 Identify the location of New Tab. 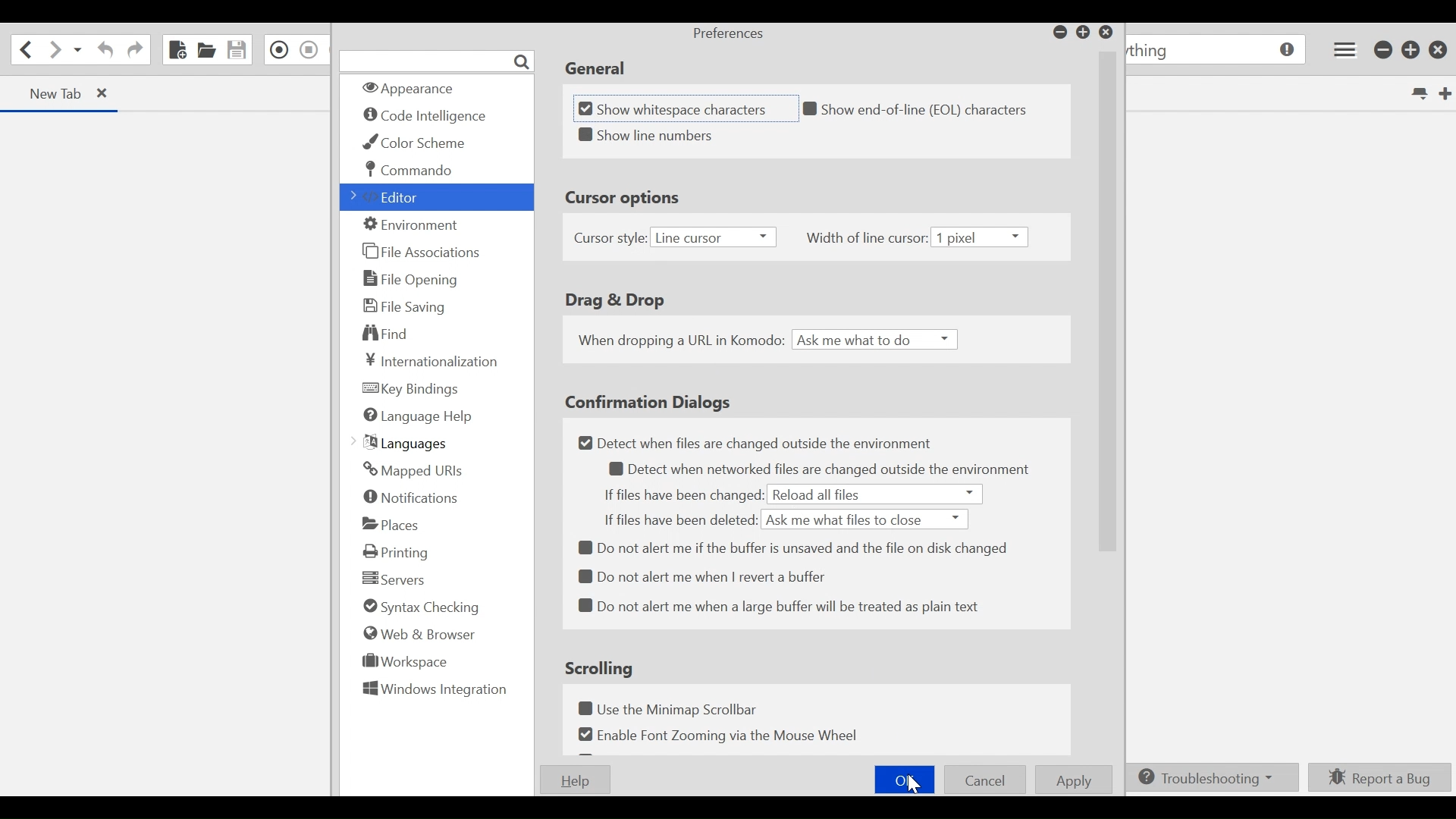
(1443, 93).